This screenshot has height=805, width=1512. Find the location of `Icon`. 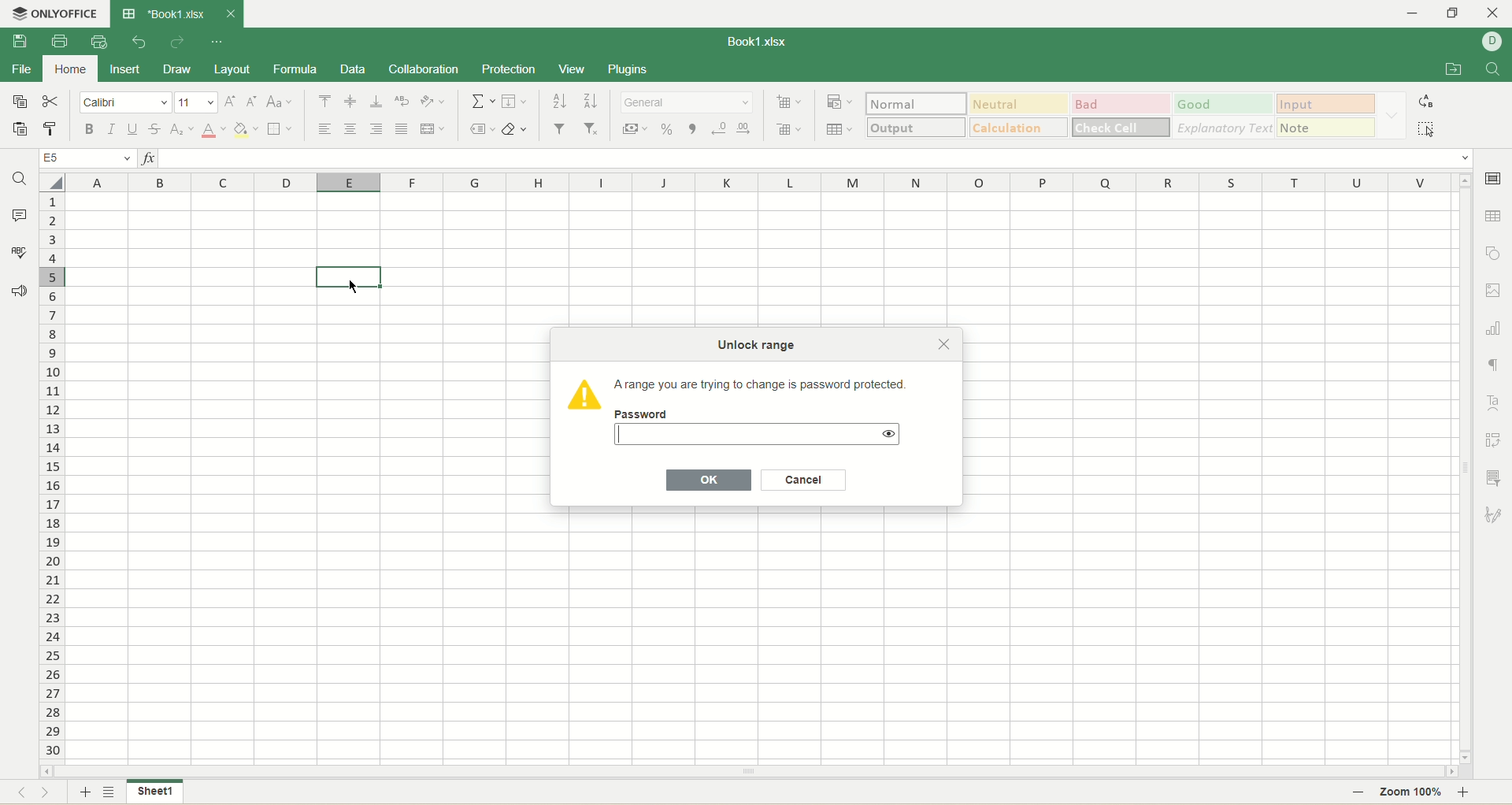

Icon is located at coordinates (580, 397).